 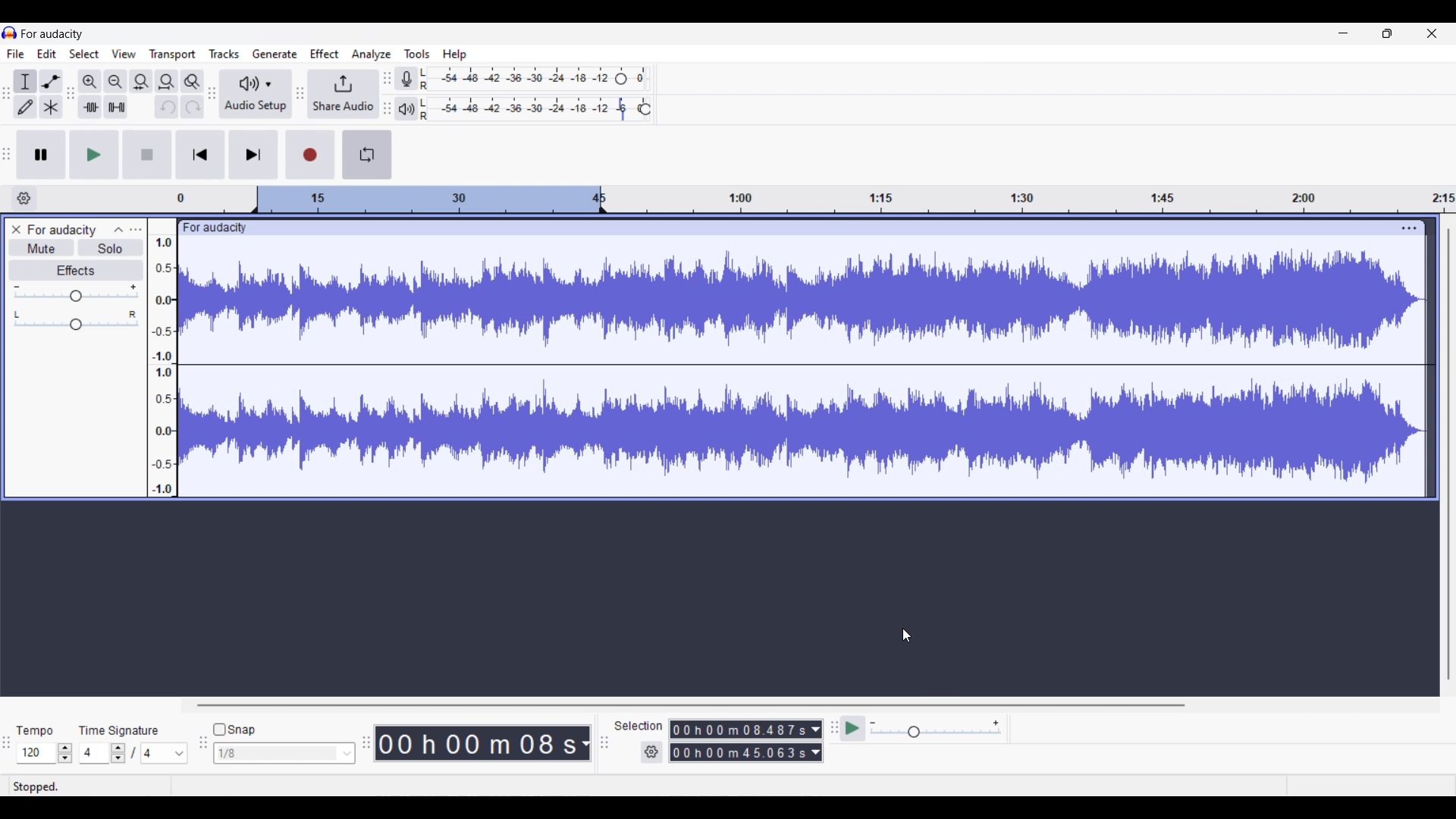 I want to click on Envelop tool, so click(x=51, y=82).